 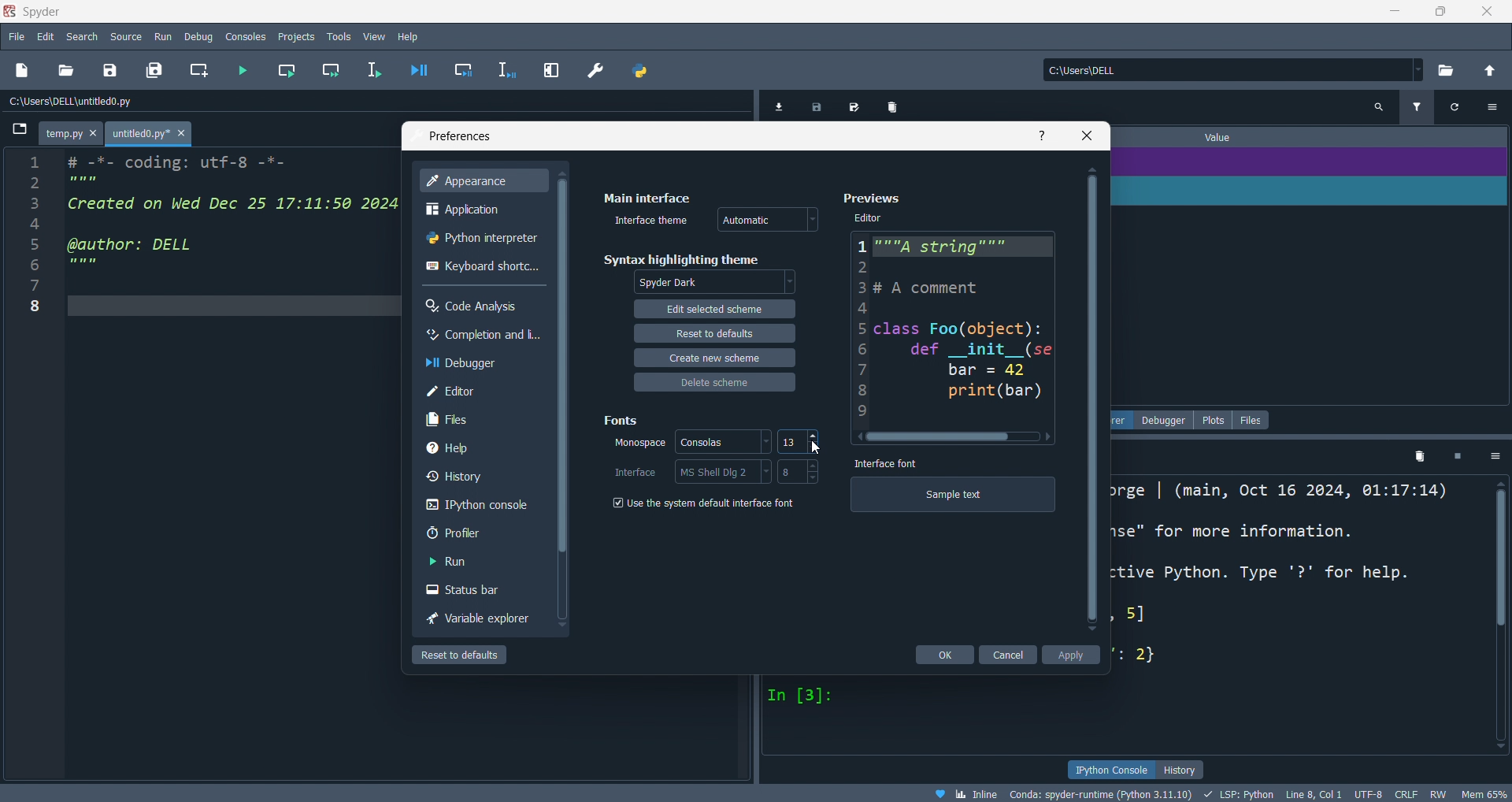 What do you see at coordinates (1489, 71) in the screenshot?
I see `open directory` at bounding box center [1489, 71].